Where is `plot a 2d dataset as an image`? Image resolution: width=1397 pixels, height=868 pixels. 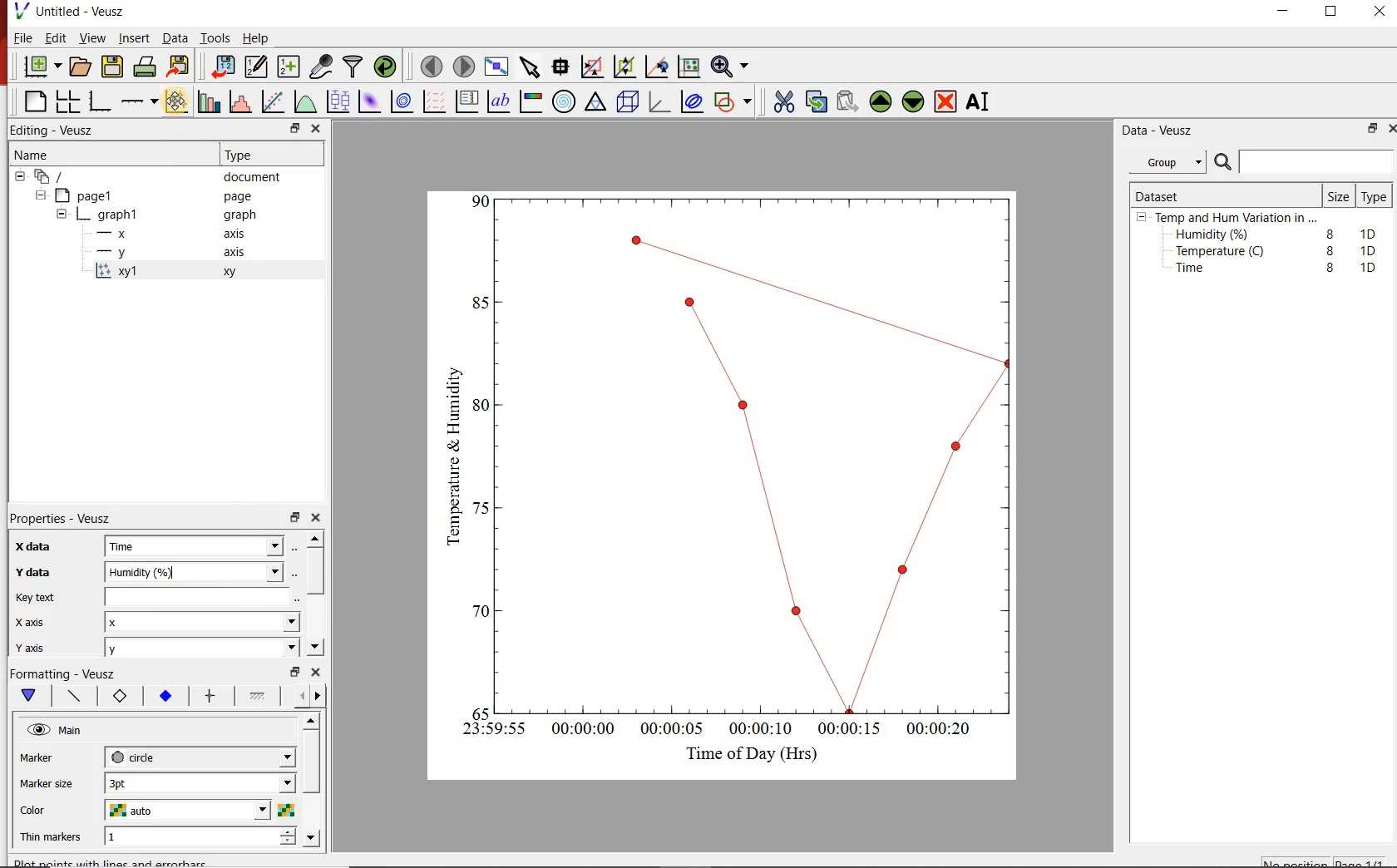 plot a 2d dataset as an image is located at coordinates (370, 102).